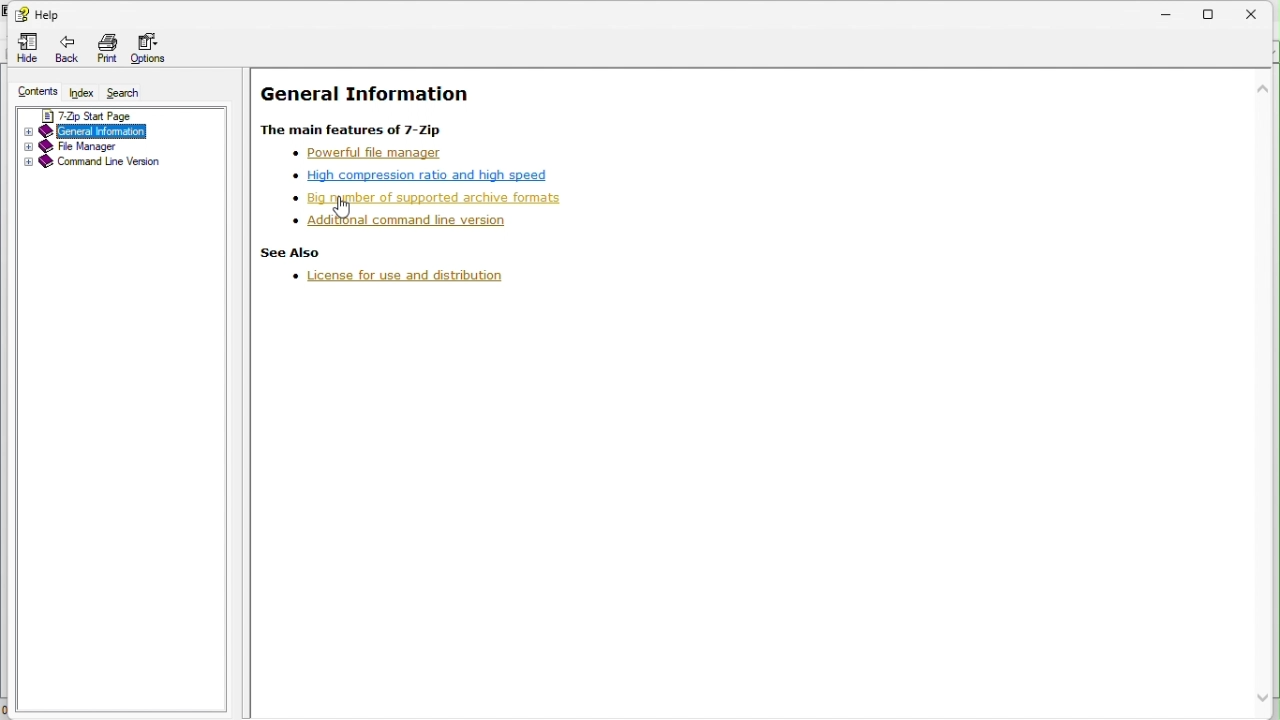 The image size is (1280, 720). What do you see at coordinates (112, 131) in the screenshot?
I see `General information` at bounding box center [112, 131].